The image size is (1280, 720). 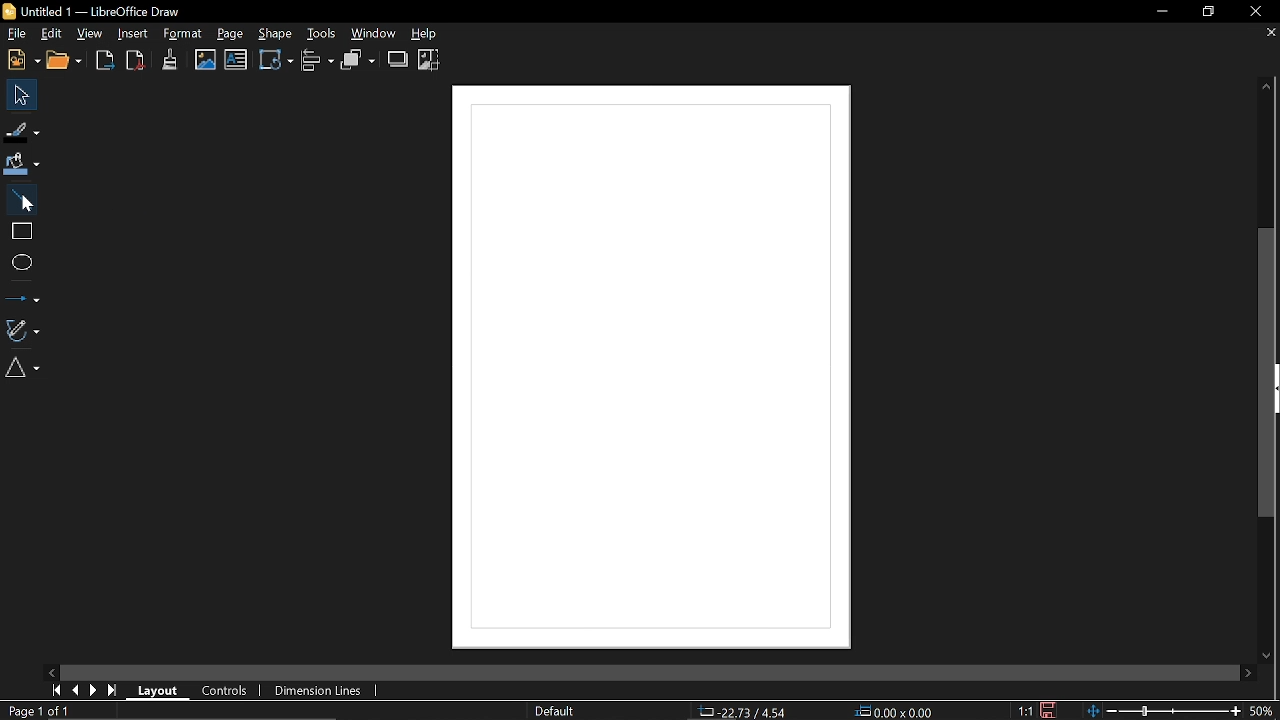 What do you see at coordinates (21, 61) in the screenshot?
I see `New` at bounding box center [21, 61].